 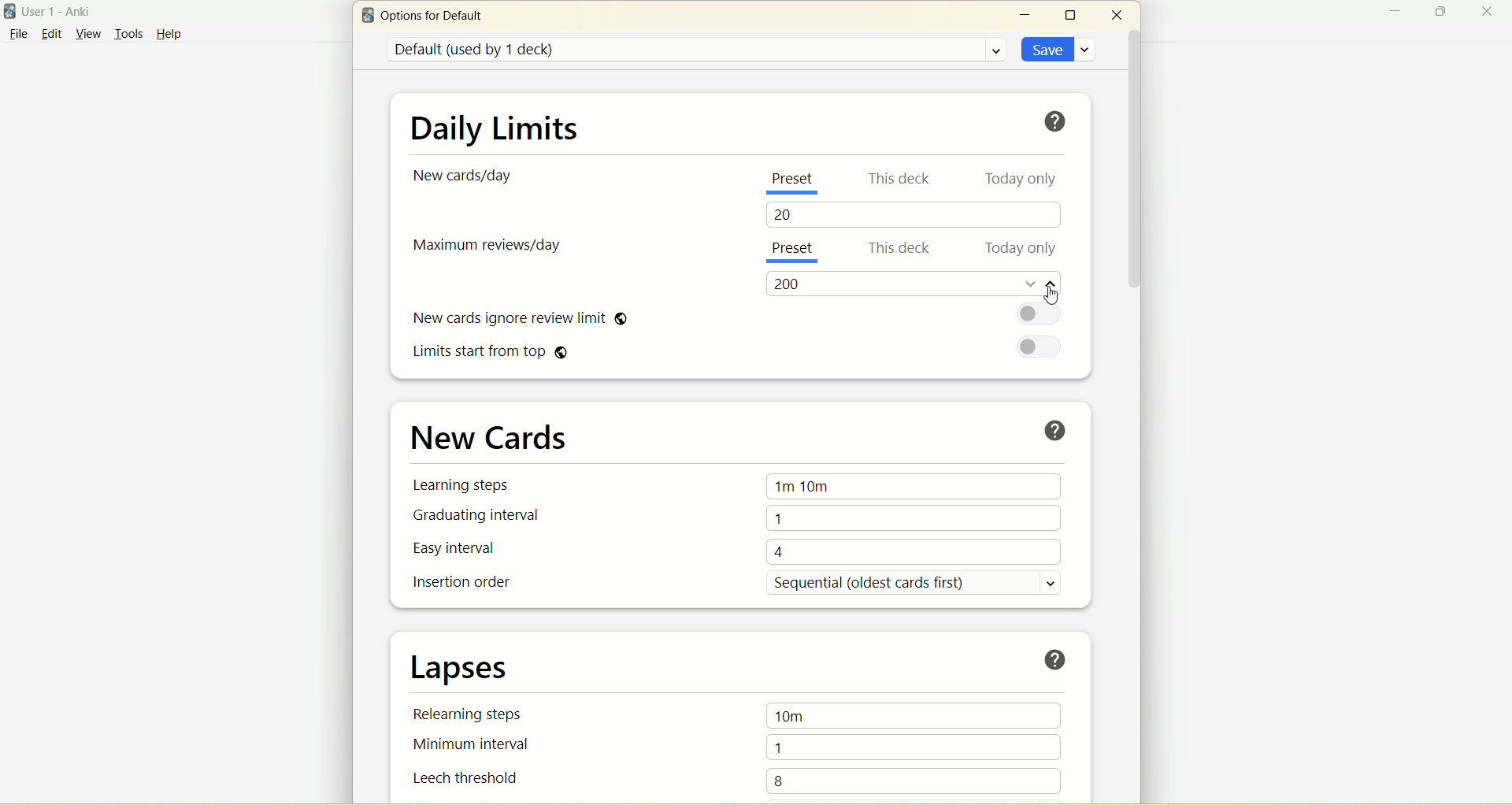 I want to click on 4, so click(x=913, y=554).